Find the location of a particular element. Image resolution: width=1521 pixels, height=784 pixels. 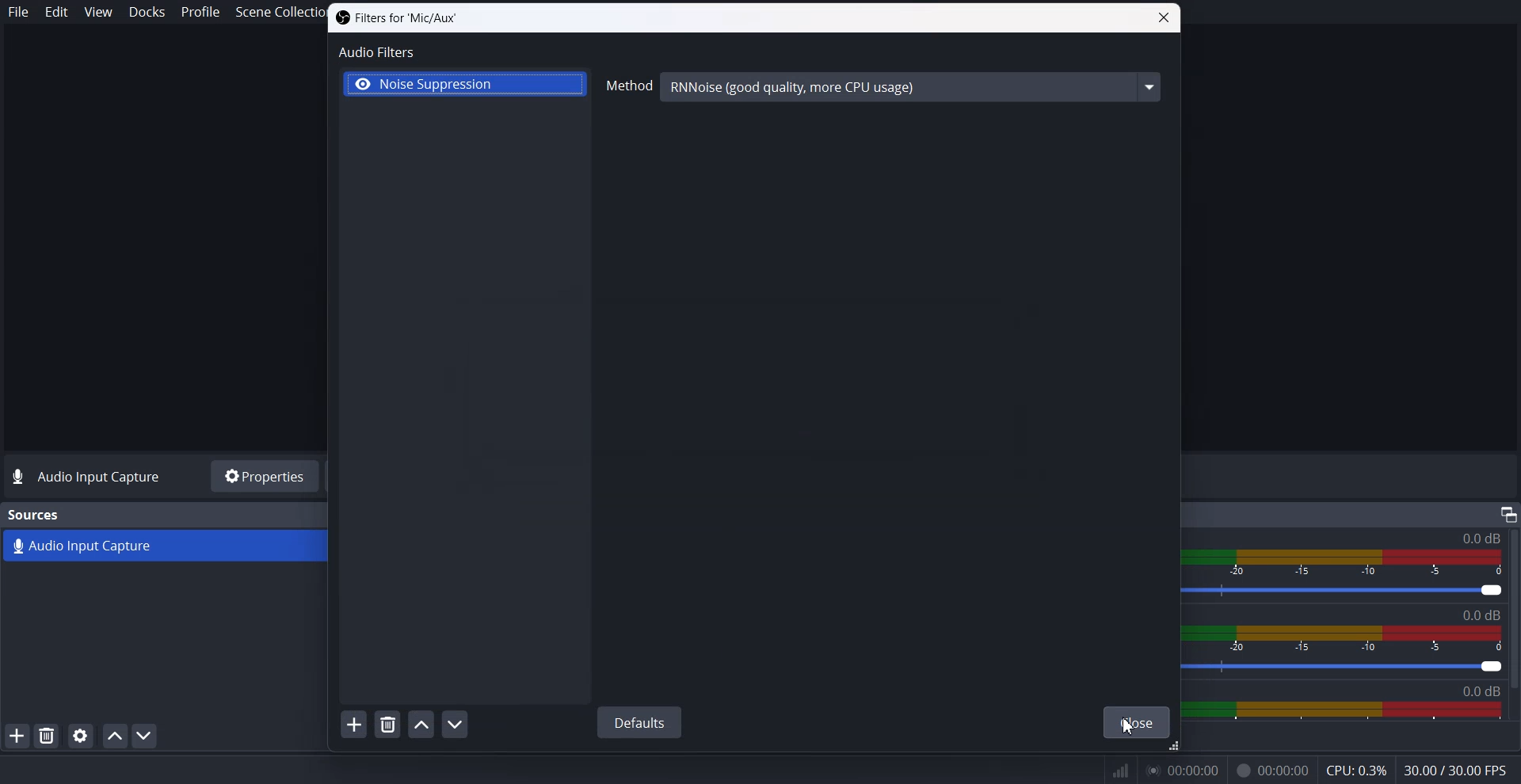

File is located at coordinates (19, 12).